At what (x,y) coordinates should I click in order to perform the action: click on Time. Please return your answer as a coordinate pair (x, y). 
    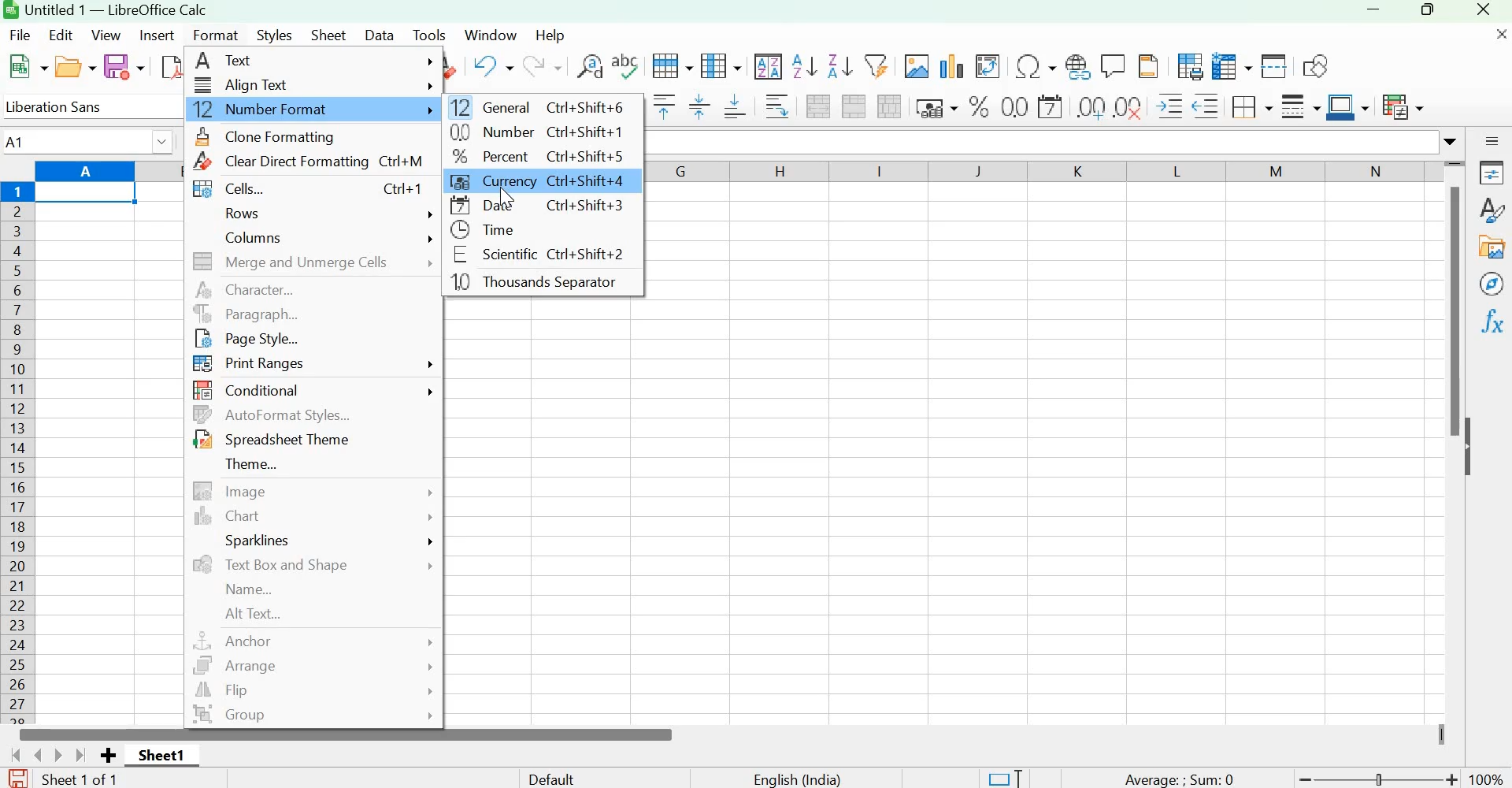
    Looking at the image, I should click on (505, 231).